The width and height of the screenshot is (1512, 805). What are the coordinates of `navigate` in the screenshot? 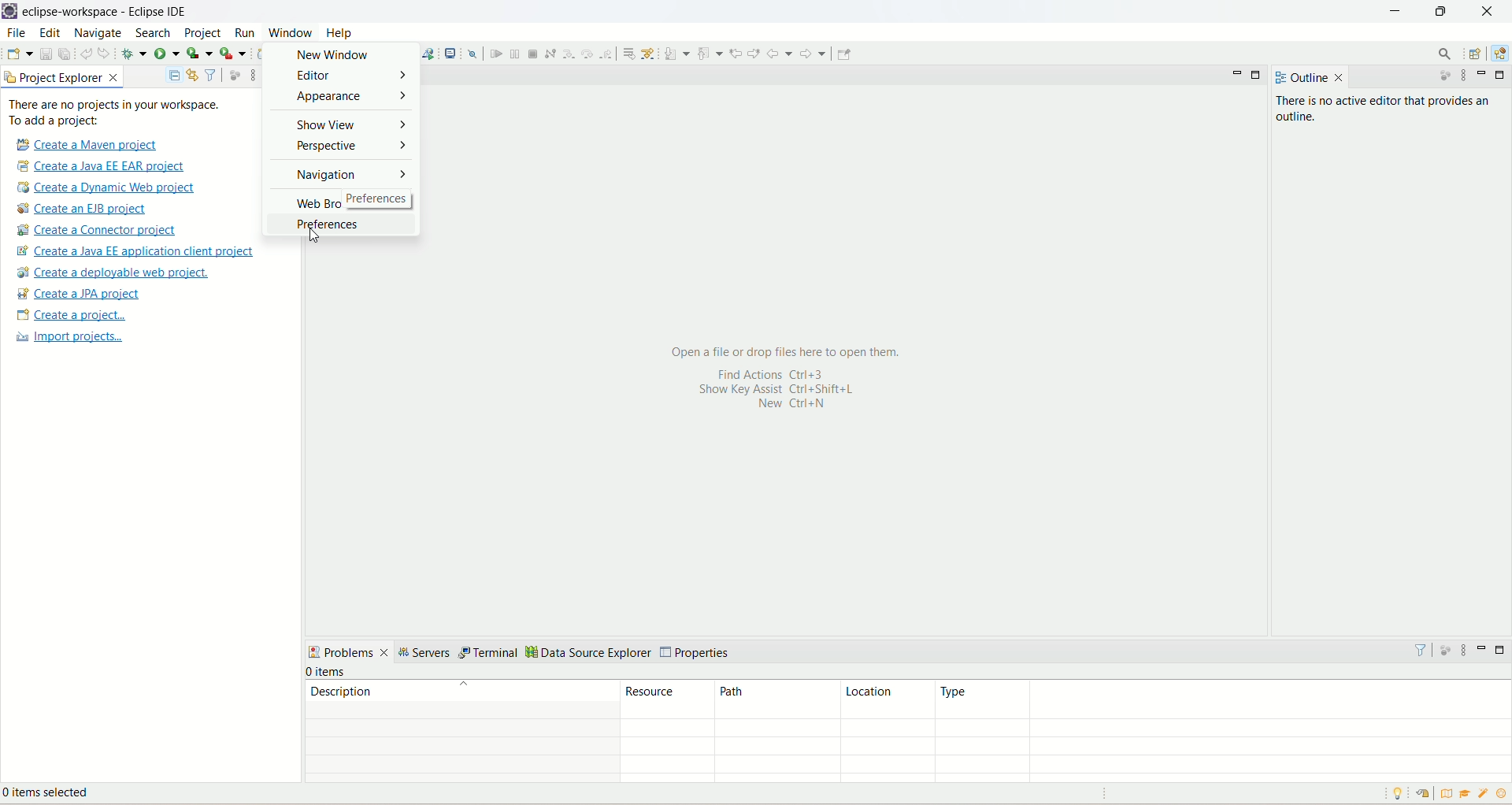 It's located at (101, 34).